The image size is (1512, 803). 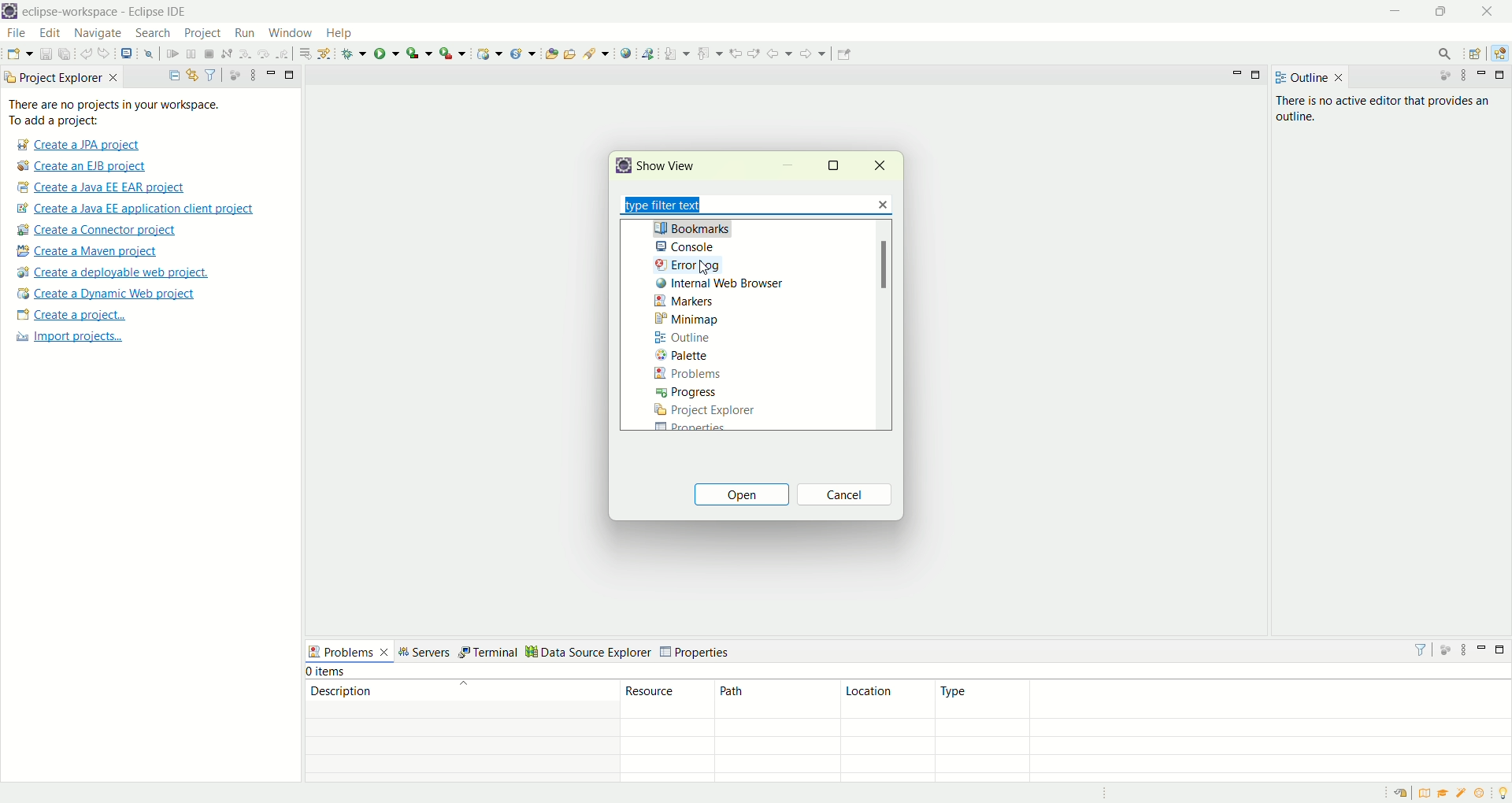 I want to click on cancel, so click(x=845, y=495).